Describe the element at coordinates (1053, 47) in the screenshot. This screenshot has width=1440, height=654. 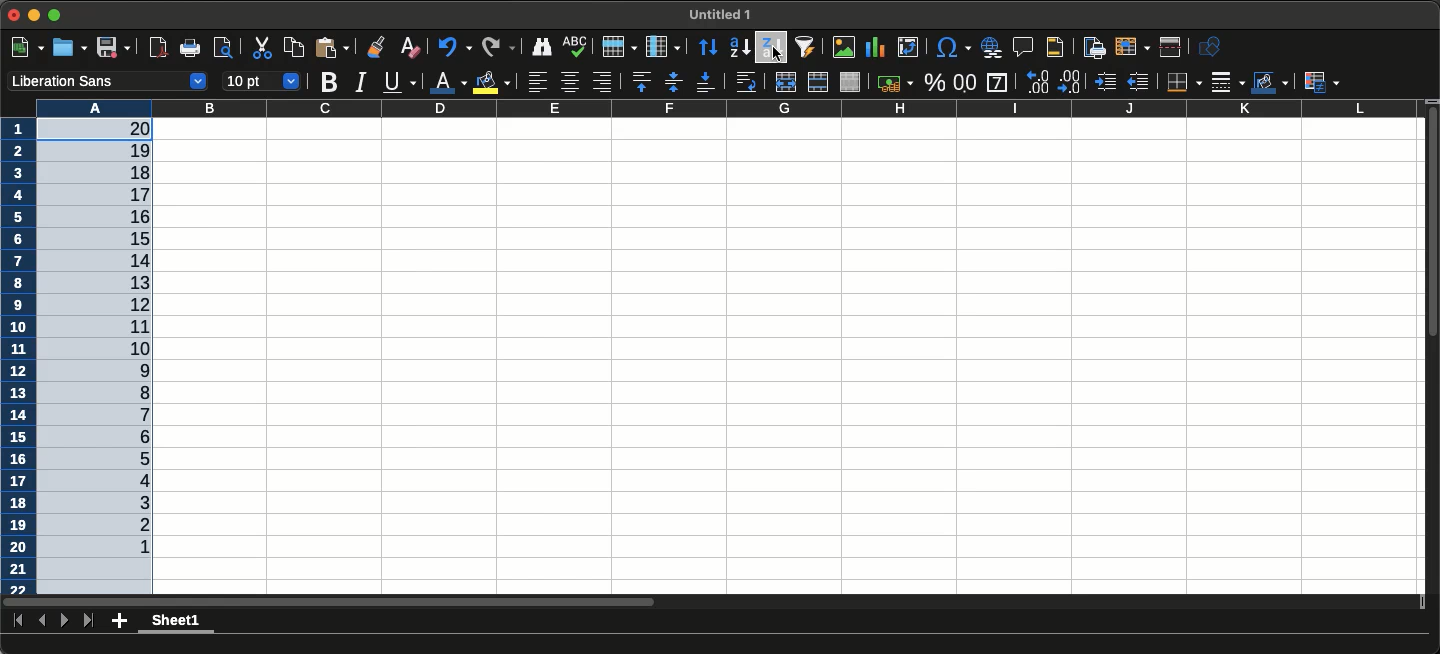
I see `Headers and footers` at that location.